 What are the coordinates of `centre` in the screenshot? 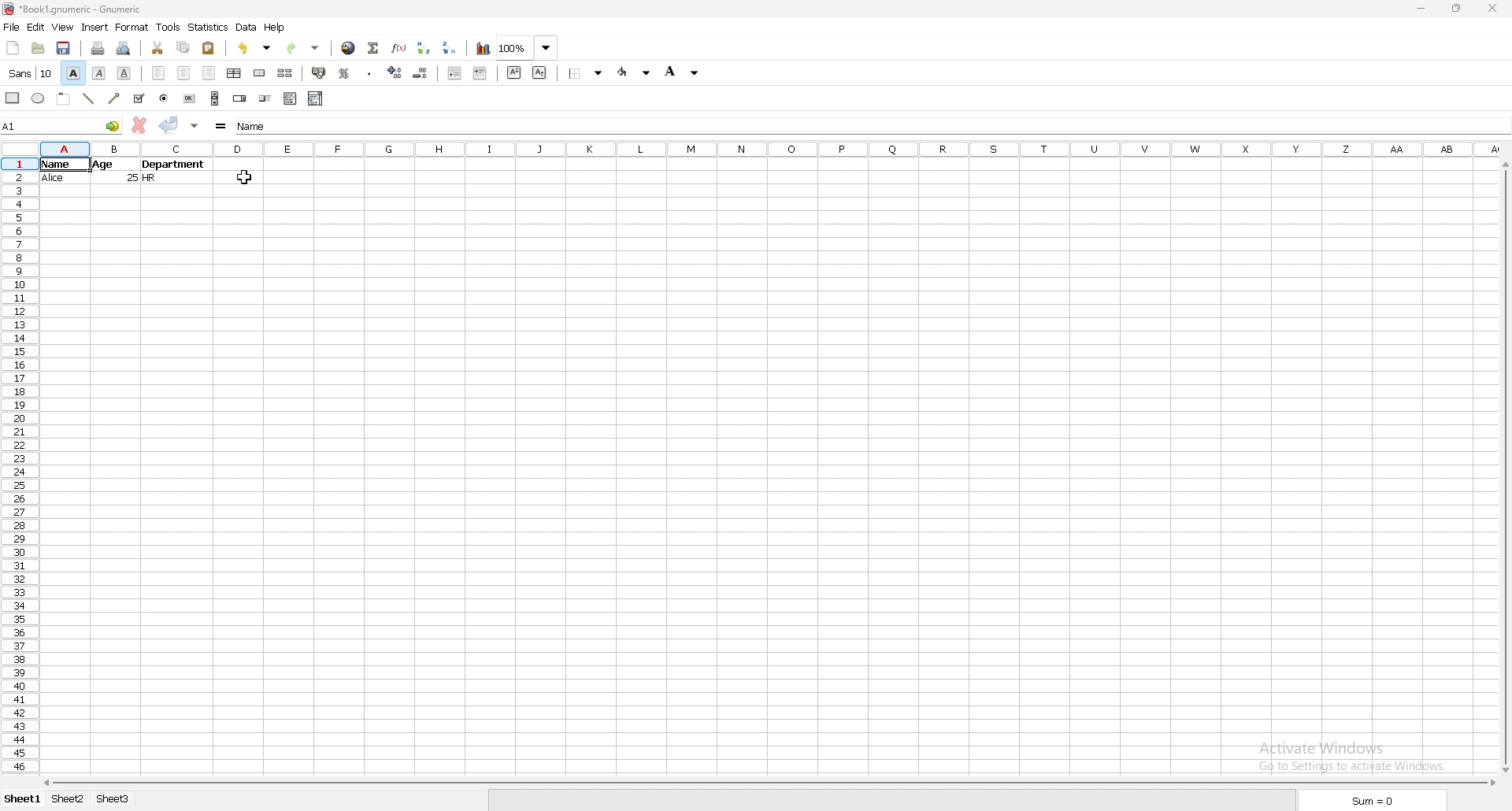 It's located at (183, 72).